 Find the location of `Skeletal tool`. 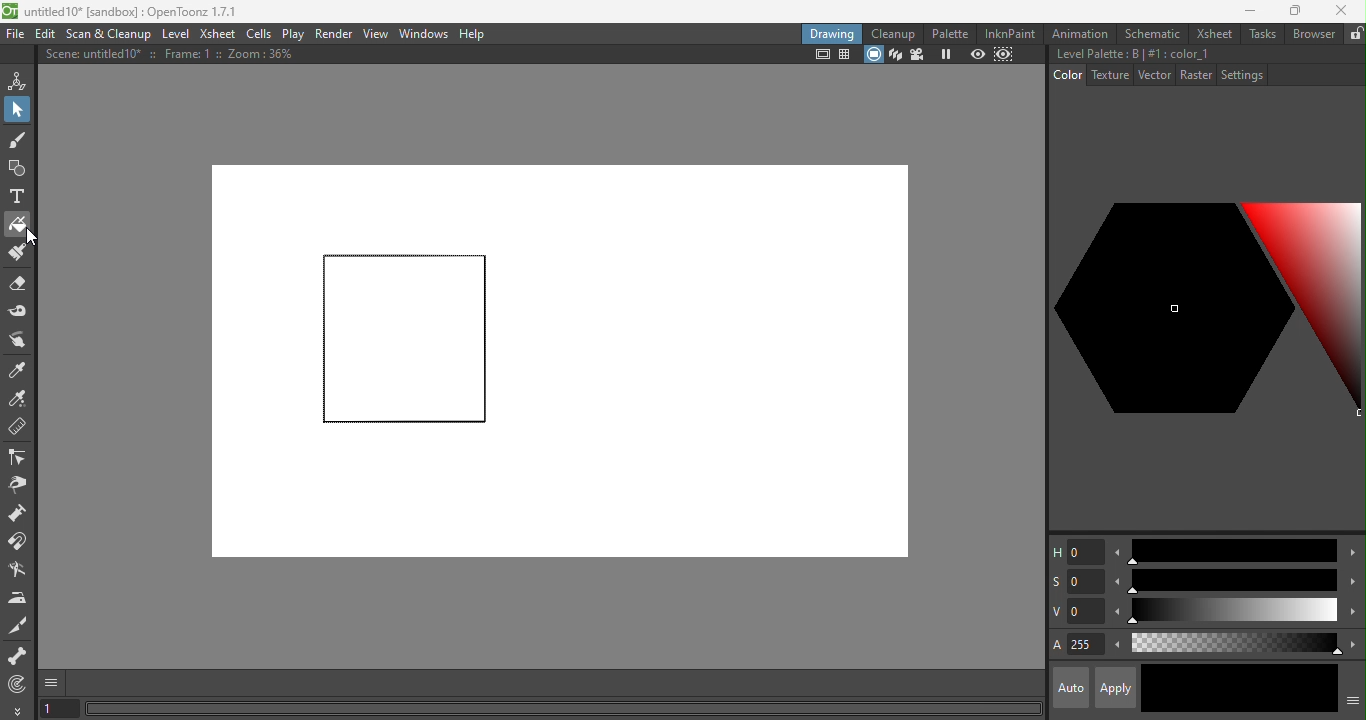

Skeletal tool is located at coordinates (18, 657).